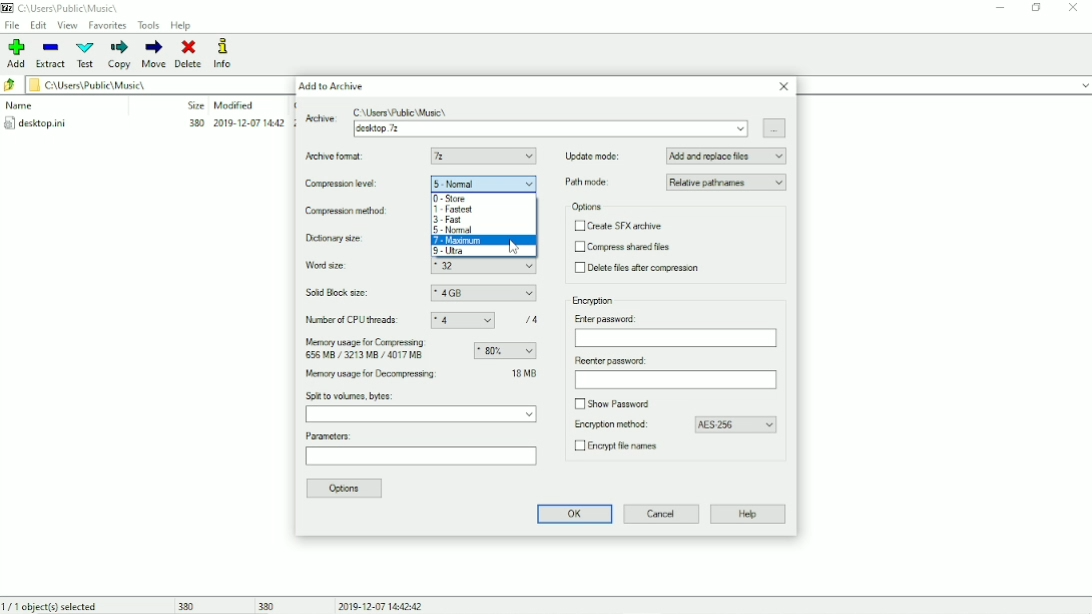  What do you see at coordinates (775, 127) in the screenshot?
I see `Browse` at bounding box center [775, 127].